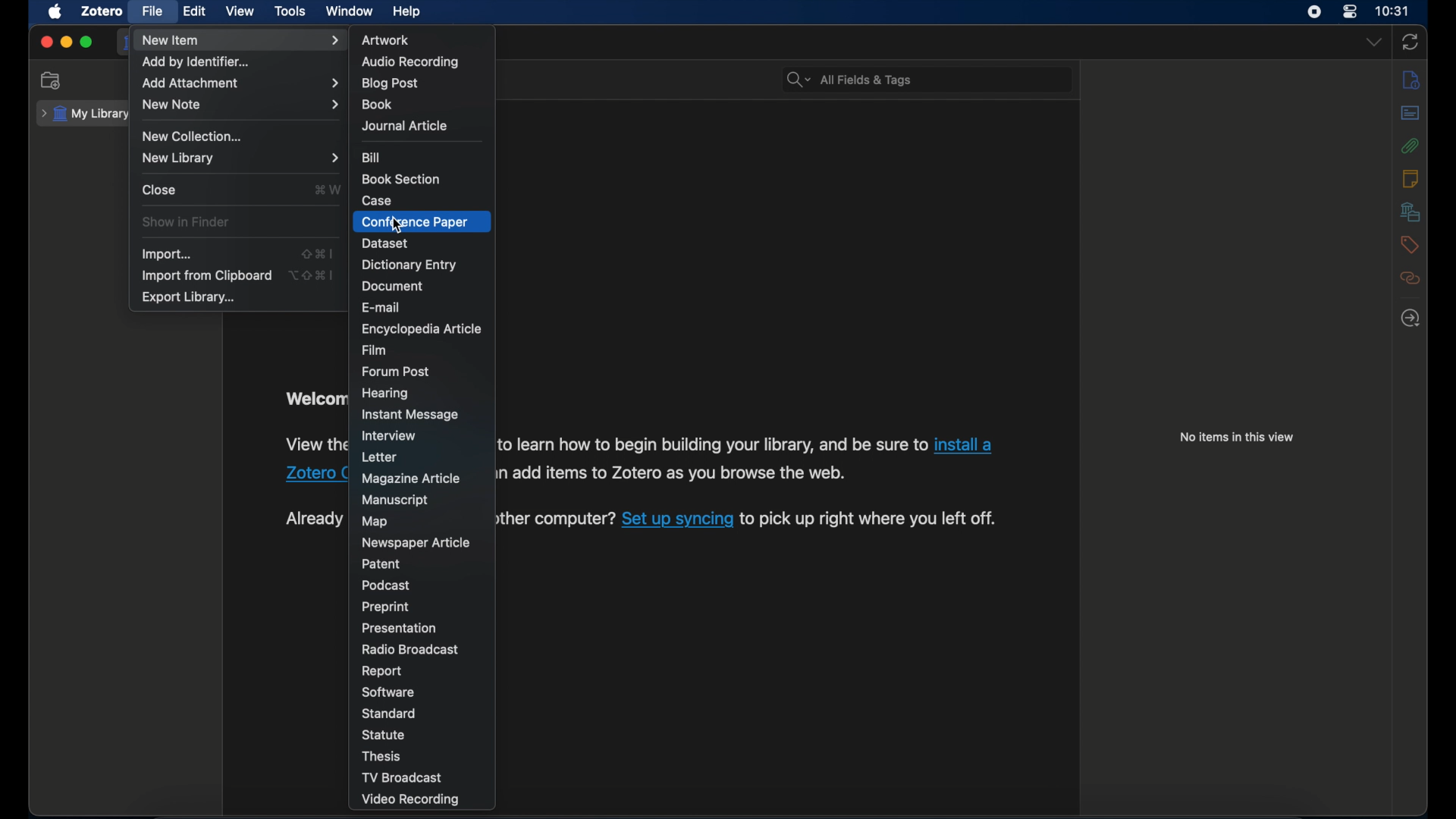 The image size is (1456, 819). What do you see at coordinates (409, 649) in the screenshot?
I see `radio broadcast` at bounding box center [409, 649].